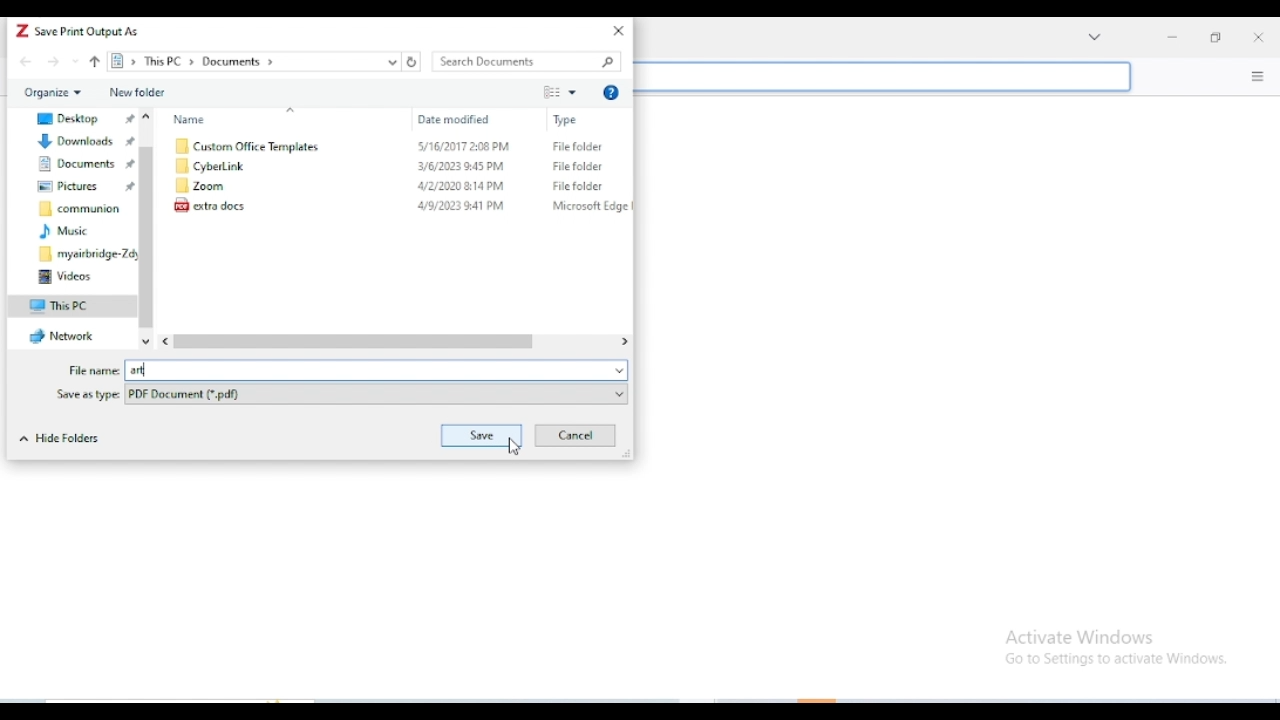 The width and height of the screenshot is (1280, 720). Describe the element at coordinates (149, 229) in the screenshot. I see `vertical scroll bar` at that location.